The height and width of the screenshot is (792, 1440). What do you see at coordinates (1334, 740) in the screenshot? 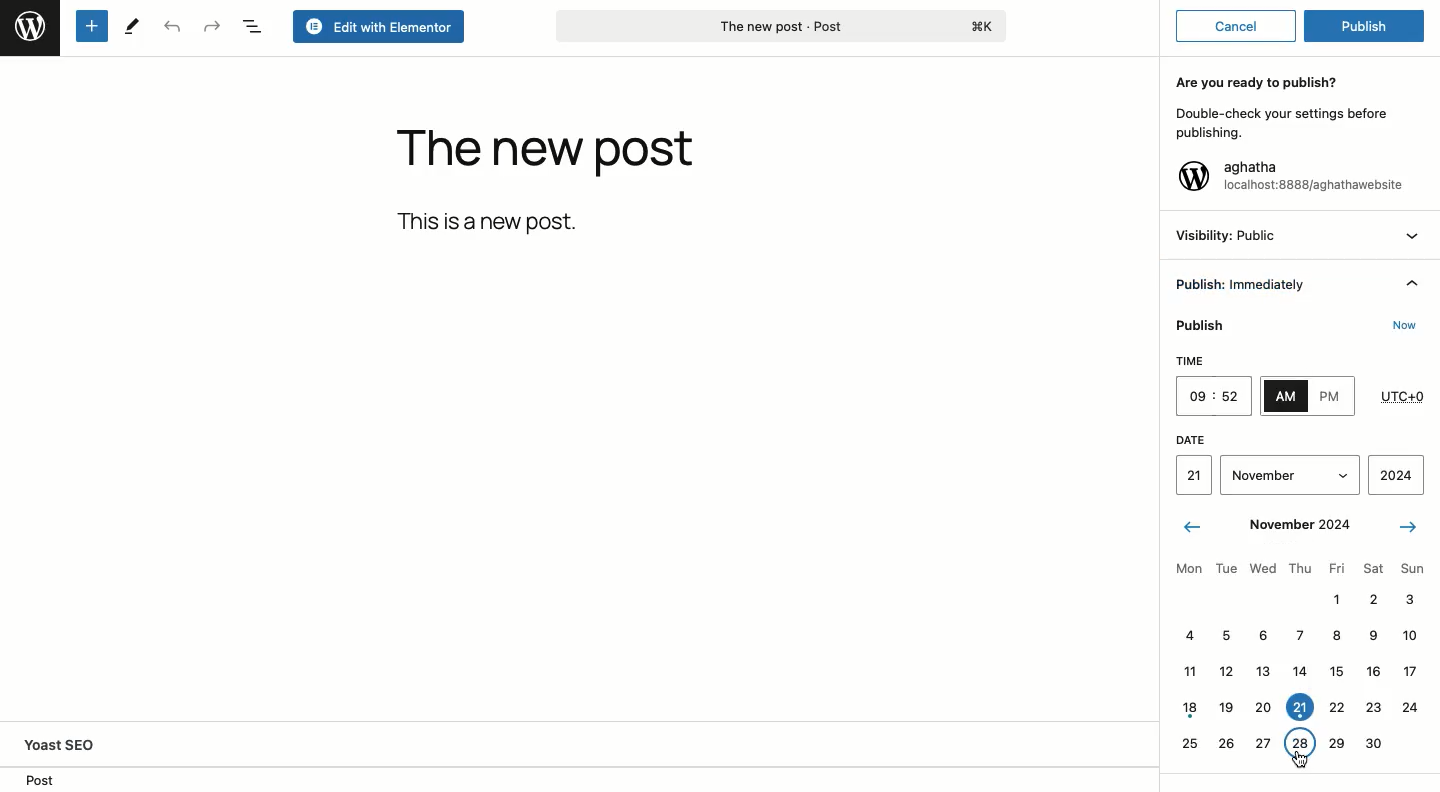
I see `29` at bounding box center [1334, 740].